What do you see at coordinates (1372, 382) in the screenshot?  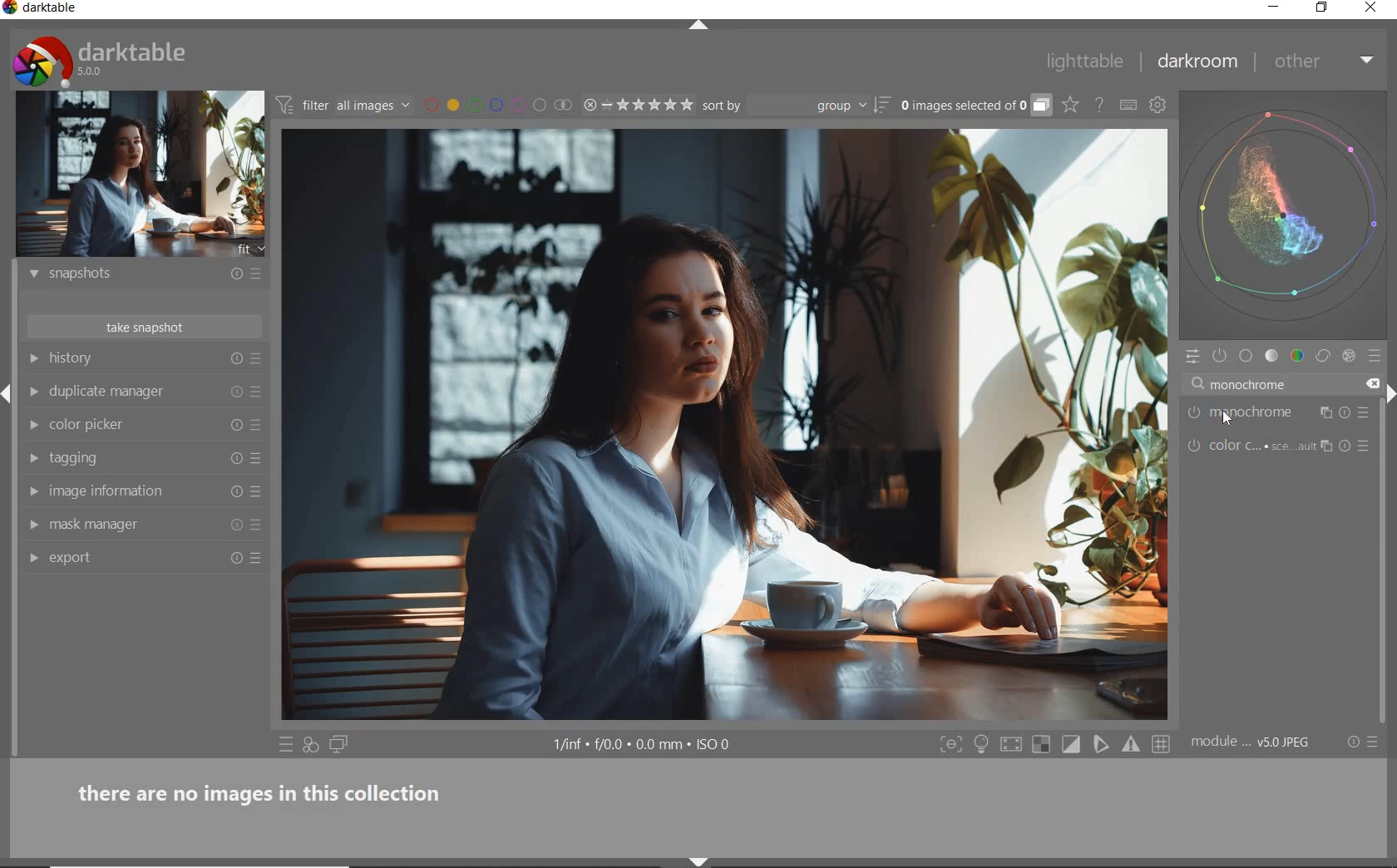 I see `close` at bounding box center [1372, 382].